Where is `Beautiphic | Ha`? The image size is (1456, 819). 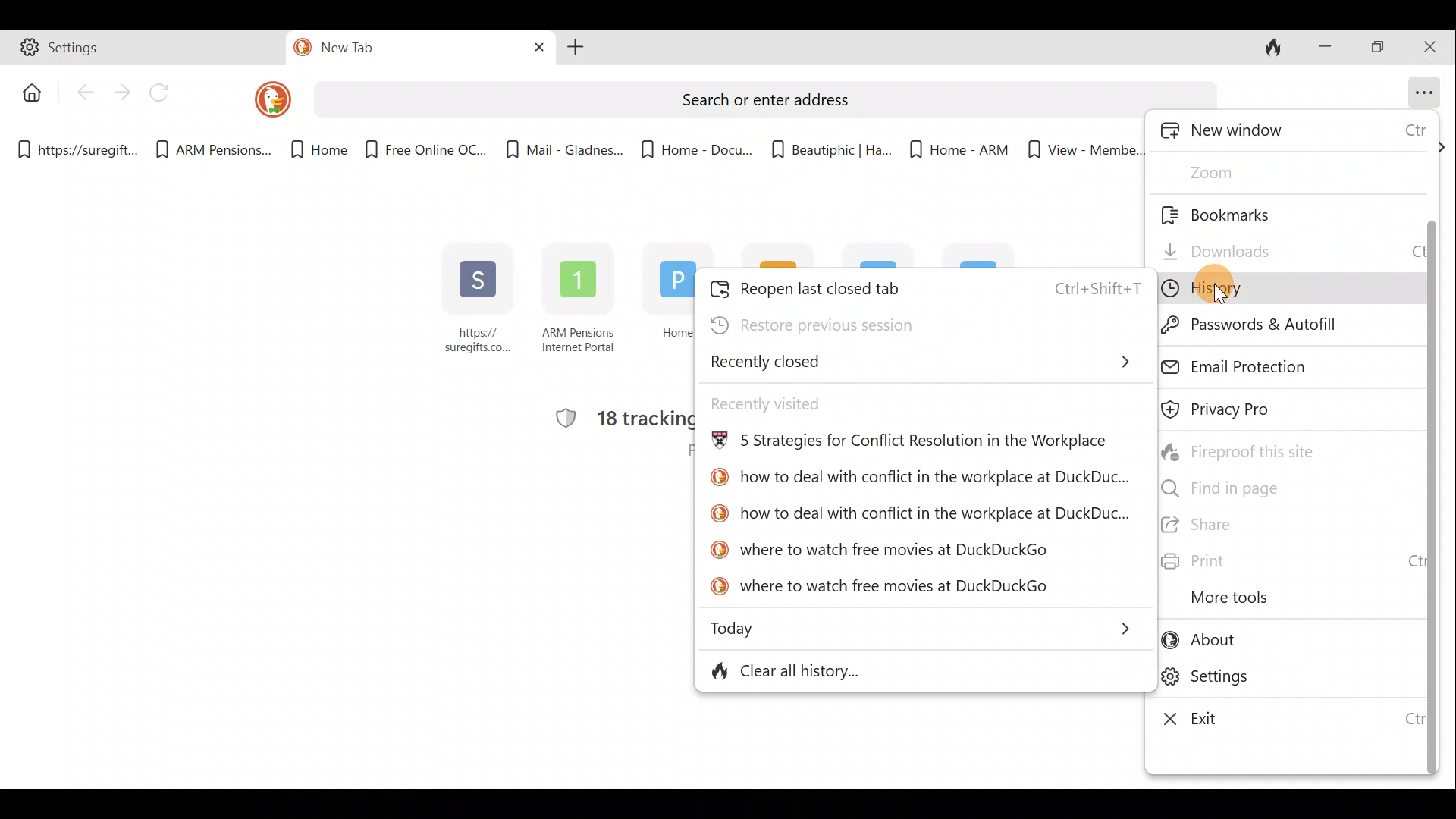
Beautiphic | Ha is located at coordinates (828, 146).